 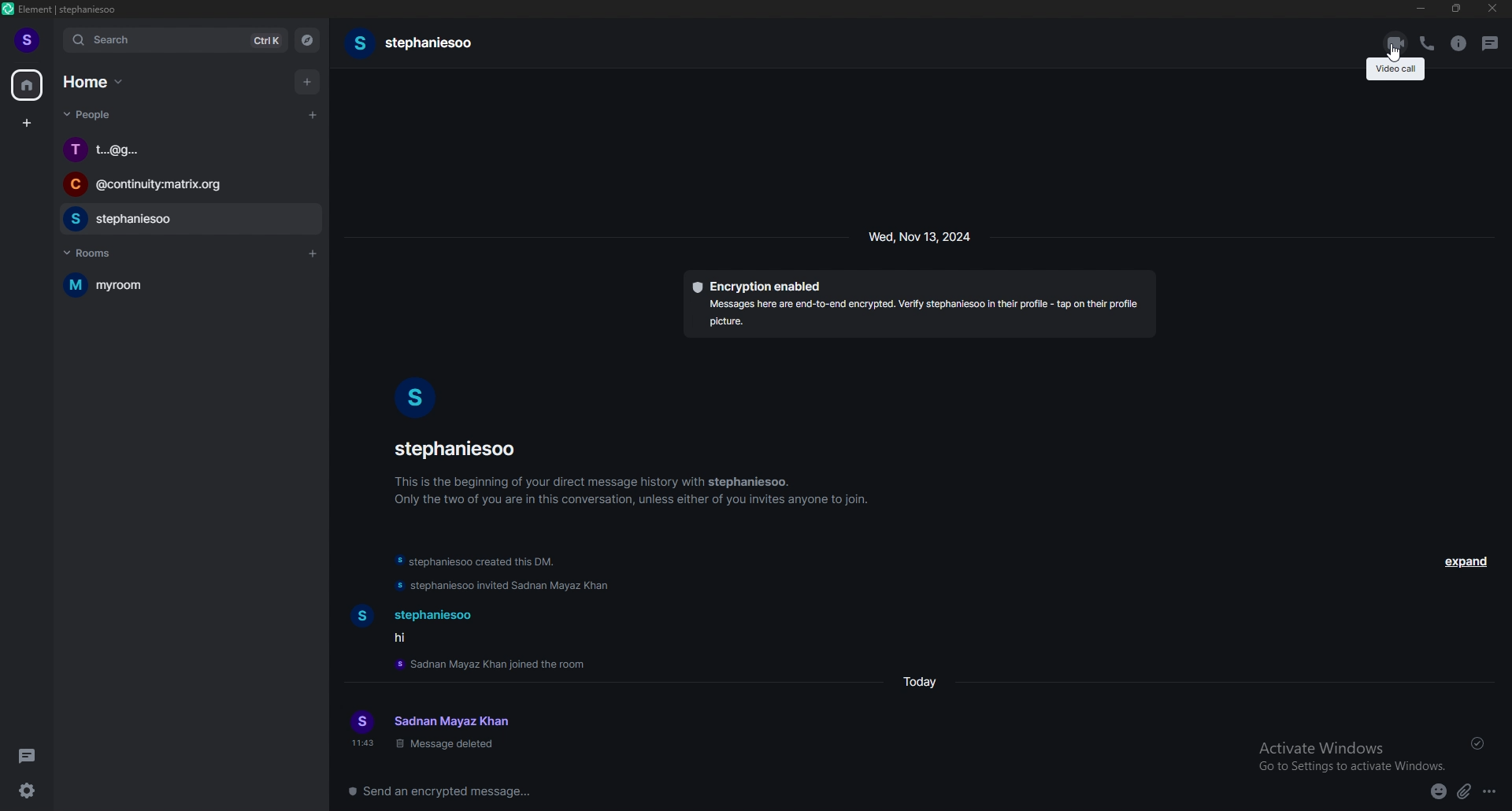 I want to click on text, so click(x=423, y=626).